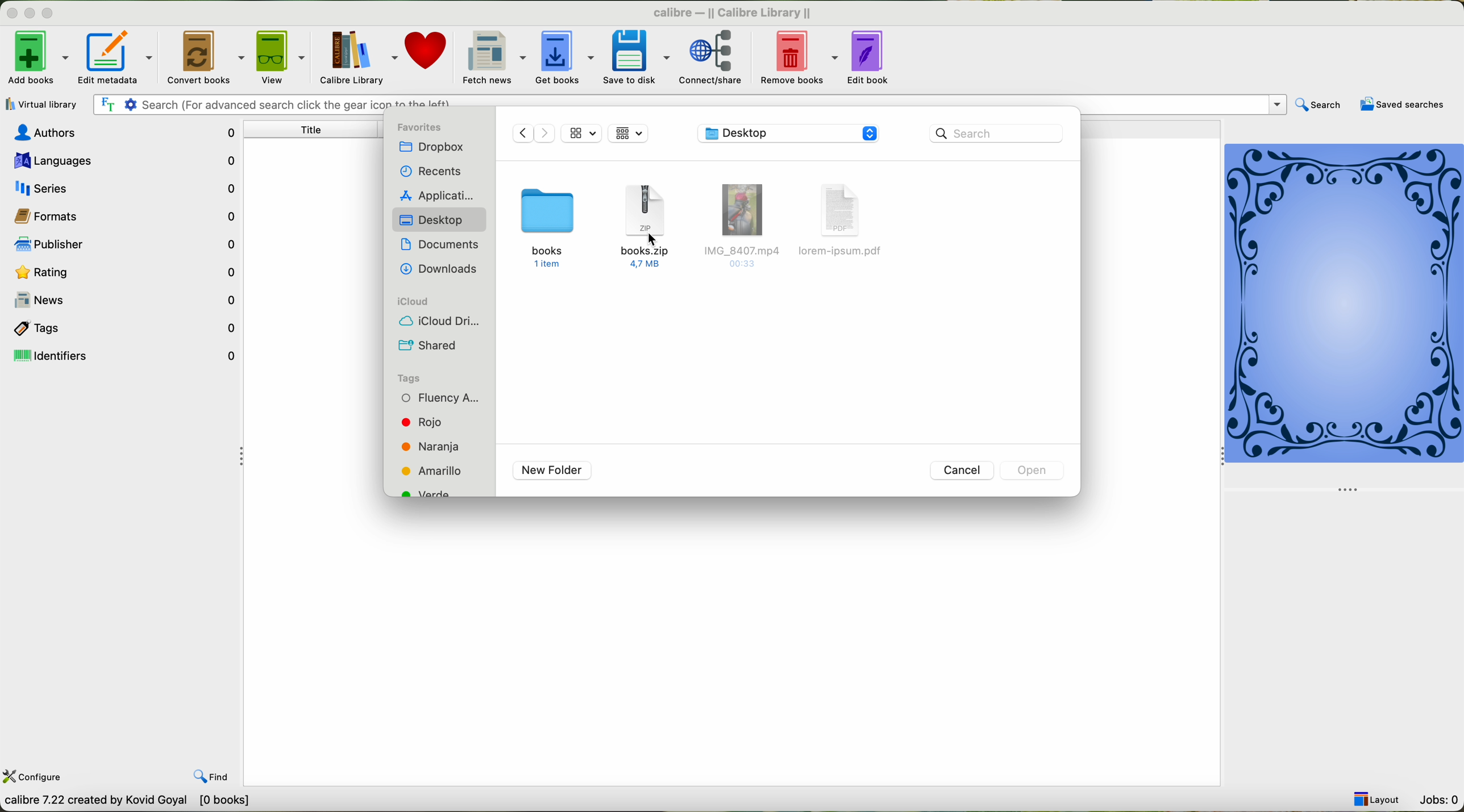 Image resolution: width=1464 pixels, height=812 pixels. What do you see at coordinates (427, 345) in the screenshot?
I see `shared` at bounding box center [427, 345].